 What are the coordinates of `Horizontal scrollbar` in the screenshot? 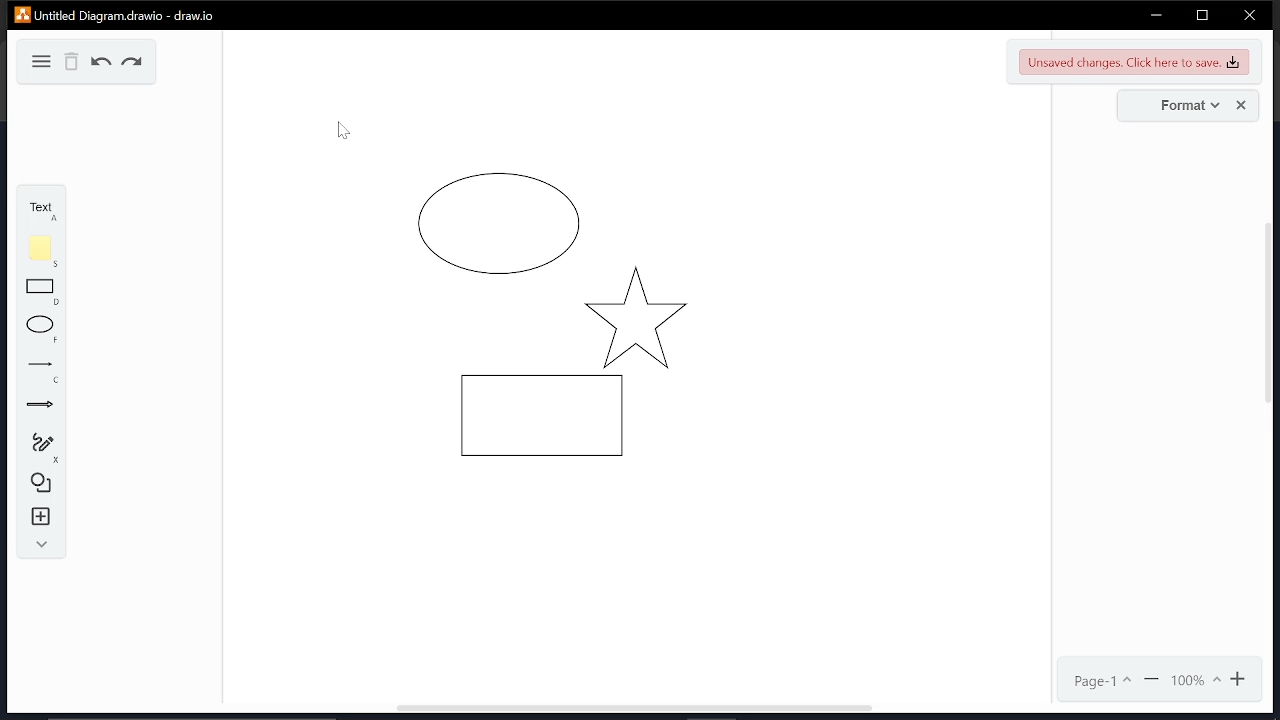 It's located at (634, 710).